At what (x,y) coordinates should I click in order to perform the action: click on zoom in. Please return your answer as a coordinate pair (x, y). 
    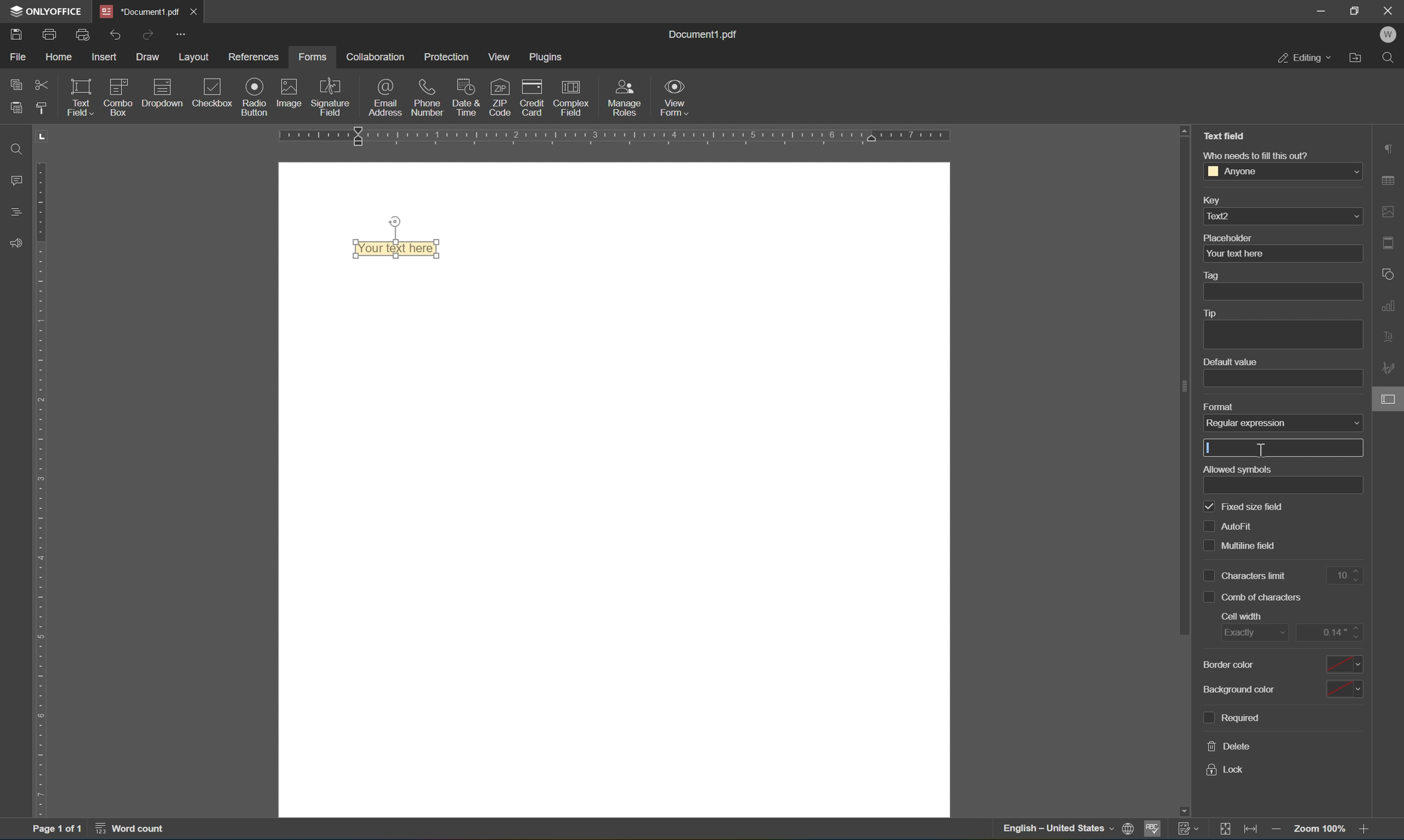
    Looking at the image, I should click on (1364, 829).